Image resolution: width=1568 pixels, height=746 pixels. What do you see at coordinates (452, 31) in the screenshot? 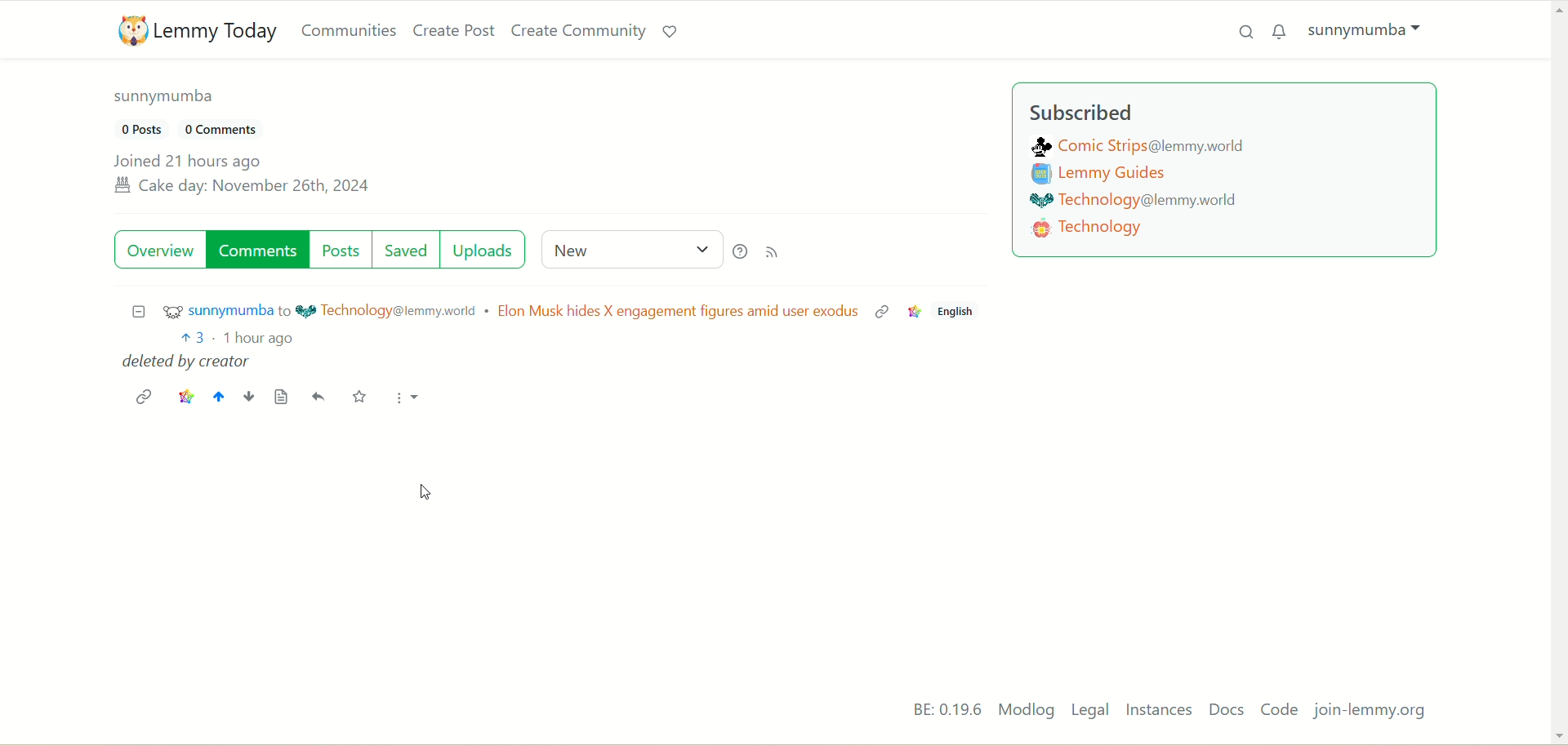
I see `create post` at bounding box center [452, 31].